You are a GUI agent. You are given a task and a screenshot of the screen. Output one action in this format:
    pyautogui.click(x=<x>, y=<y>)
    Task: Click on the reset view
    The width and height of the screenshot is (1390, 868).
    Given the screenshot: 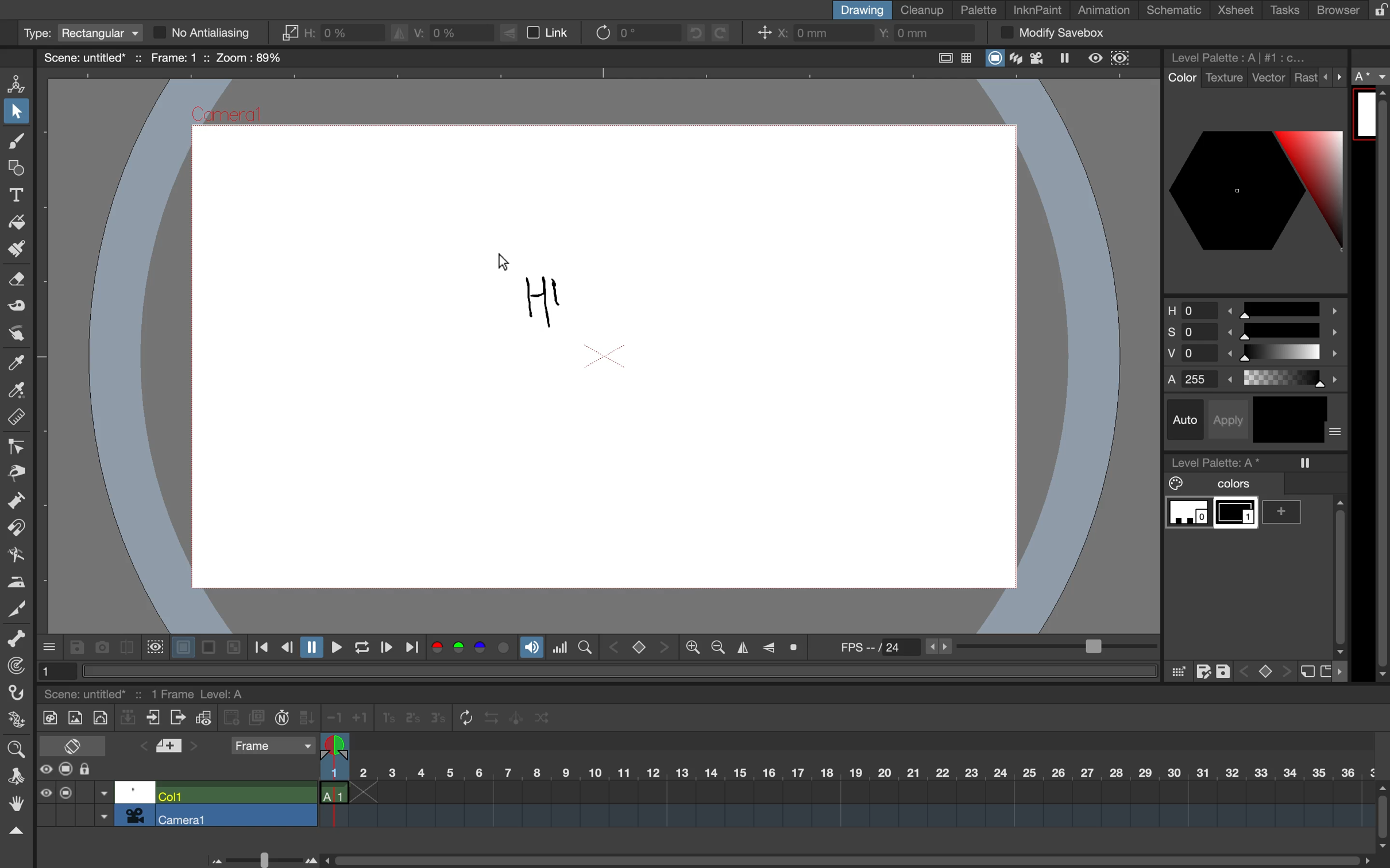 What is the action you would take?
    pyautogui.click(x=798, y=648)
    